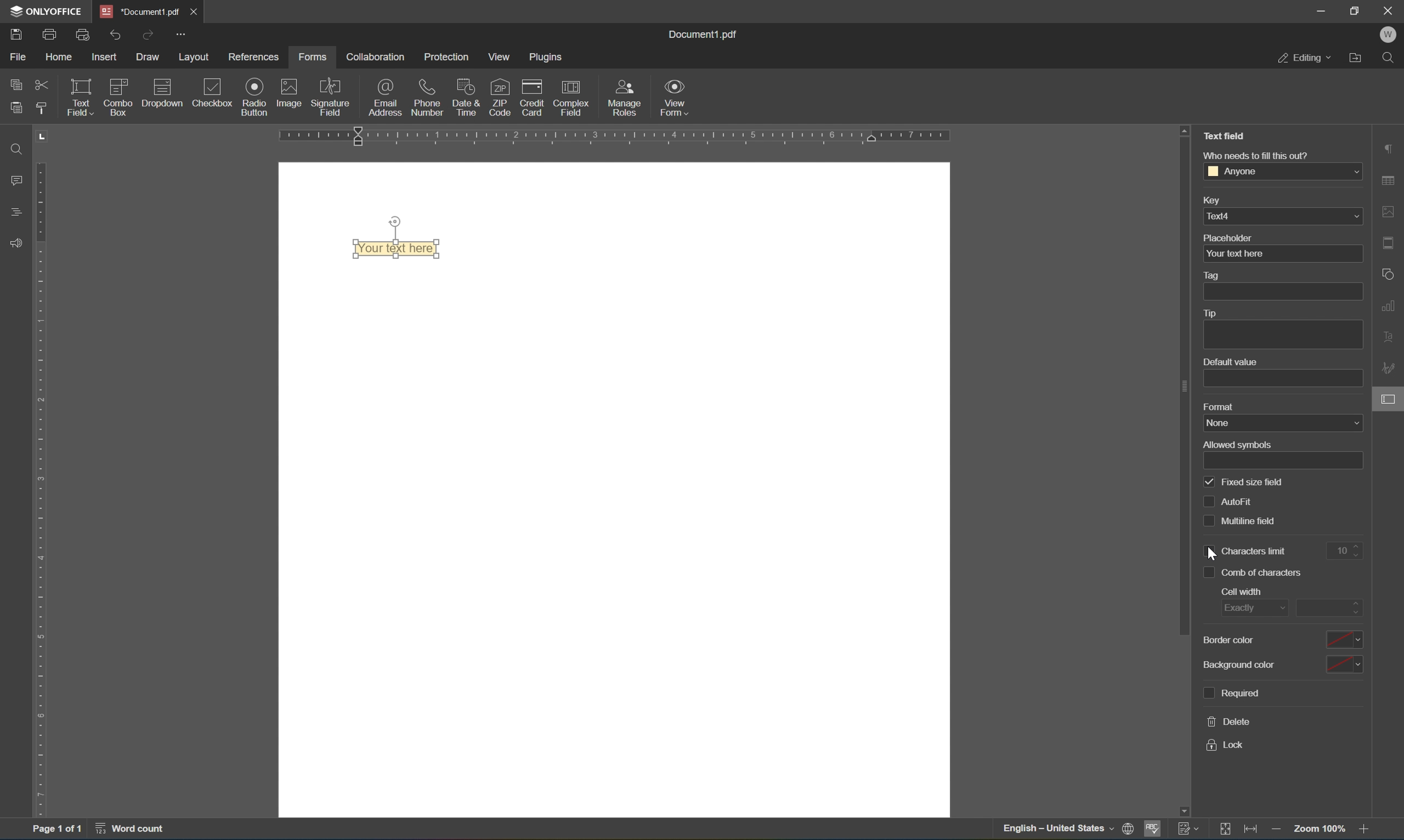 Image resolution: width=1404 pixels, height=840 pixels. What do you see at coordinates (1281, 664) in the screenshot?
I see `background color` at bounding box center [1281, 664].